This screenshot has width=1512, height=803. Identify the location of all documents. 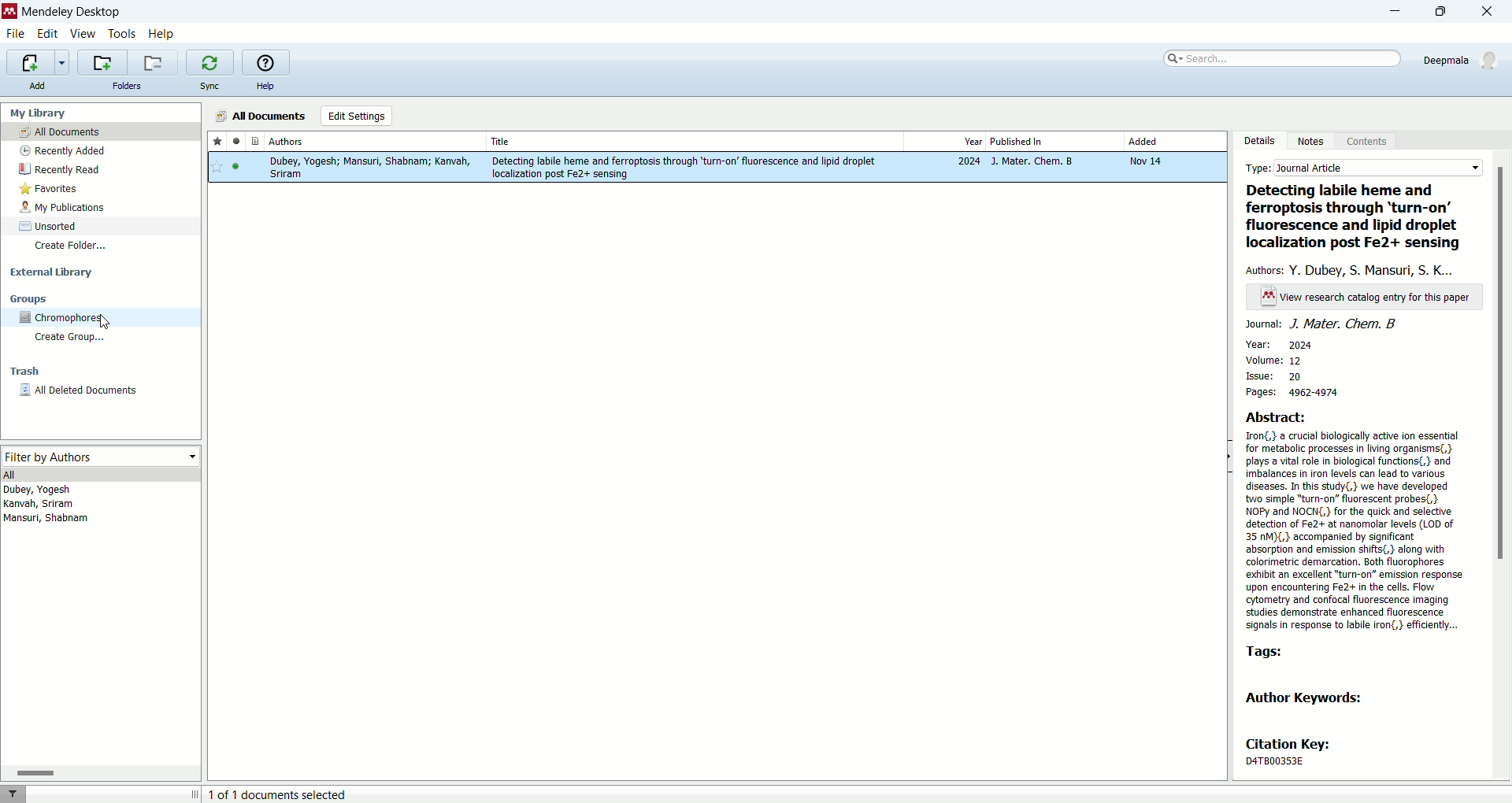
(261, 116).